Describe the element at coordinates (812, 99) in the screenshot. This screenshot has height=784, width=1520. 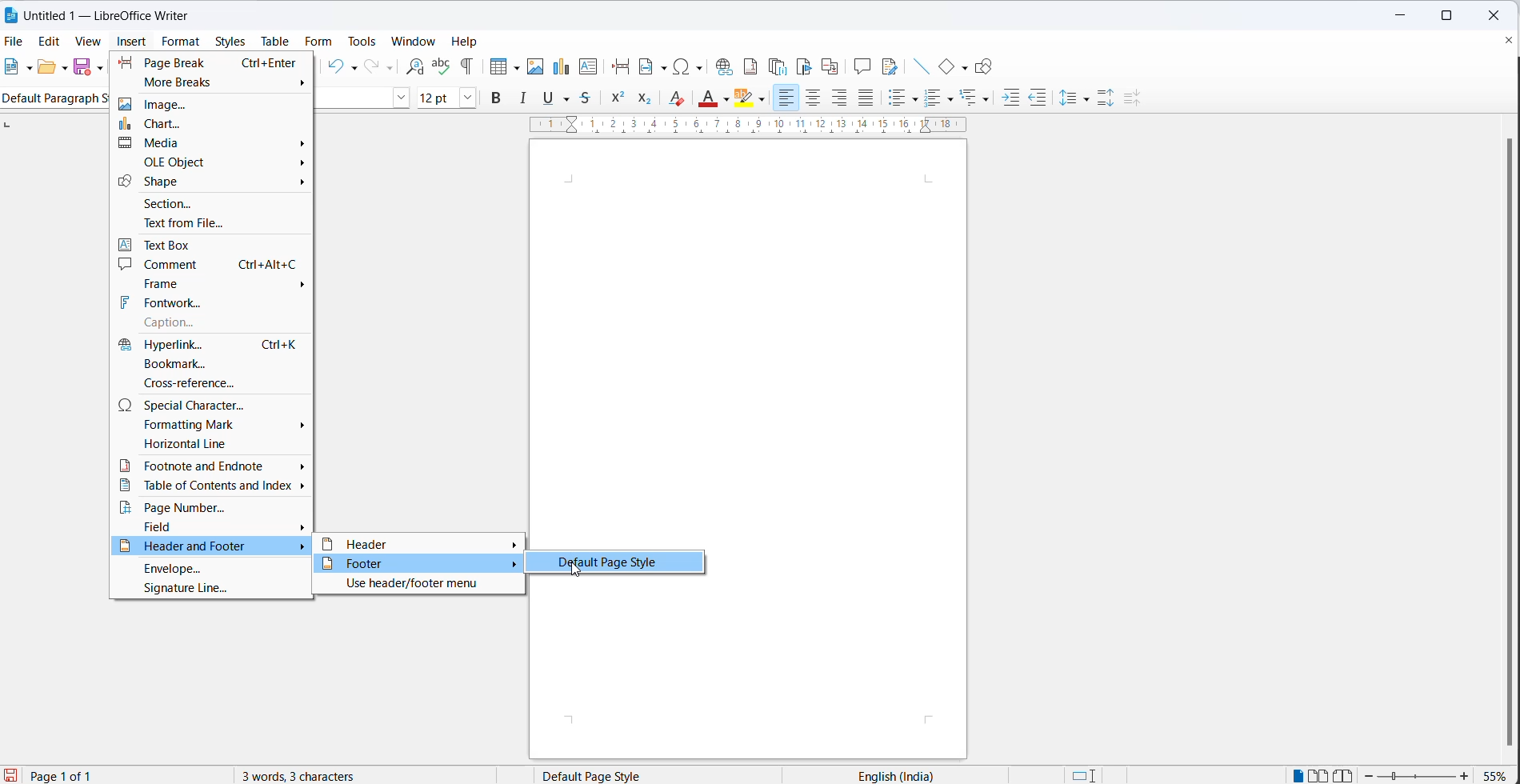
I see `text align center` at that location.